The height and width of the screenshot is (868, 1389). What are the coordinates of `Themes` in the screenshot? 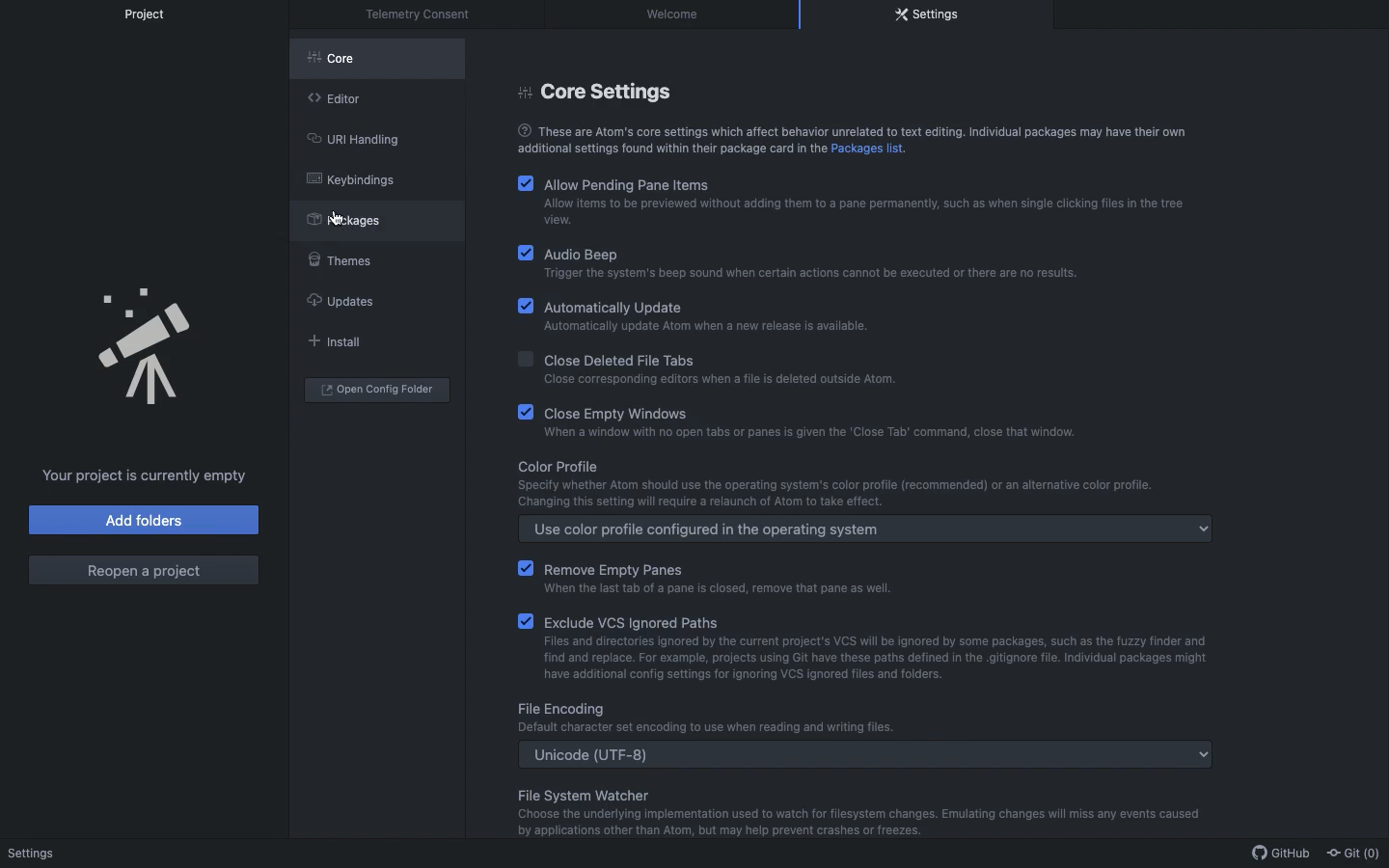 It's located at (338, 257).